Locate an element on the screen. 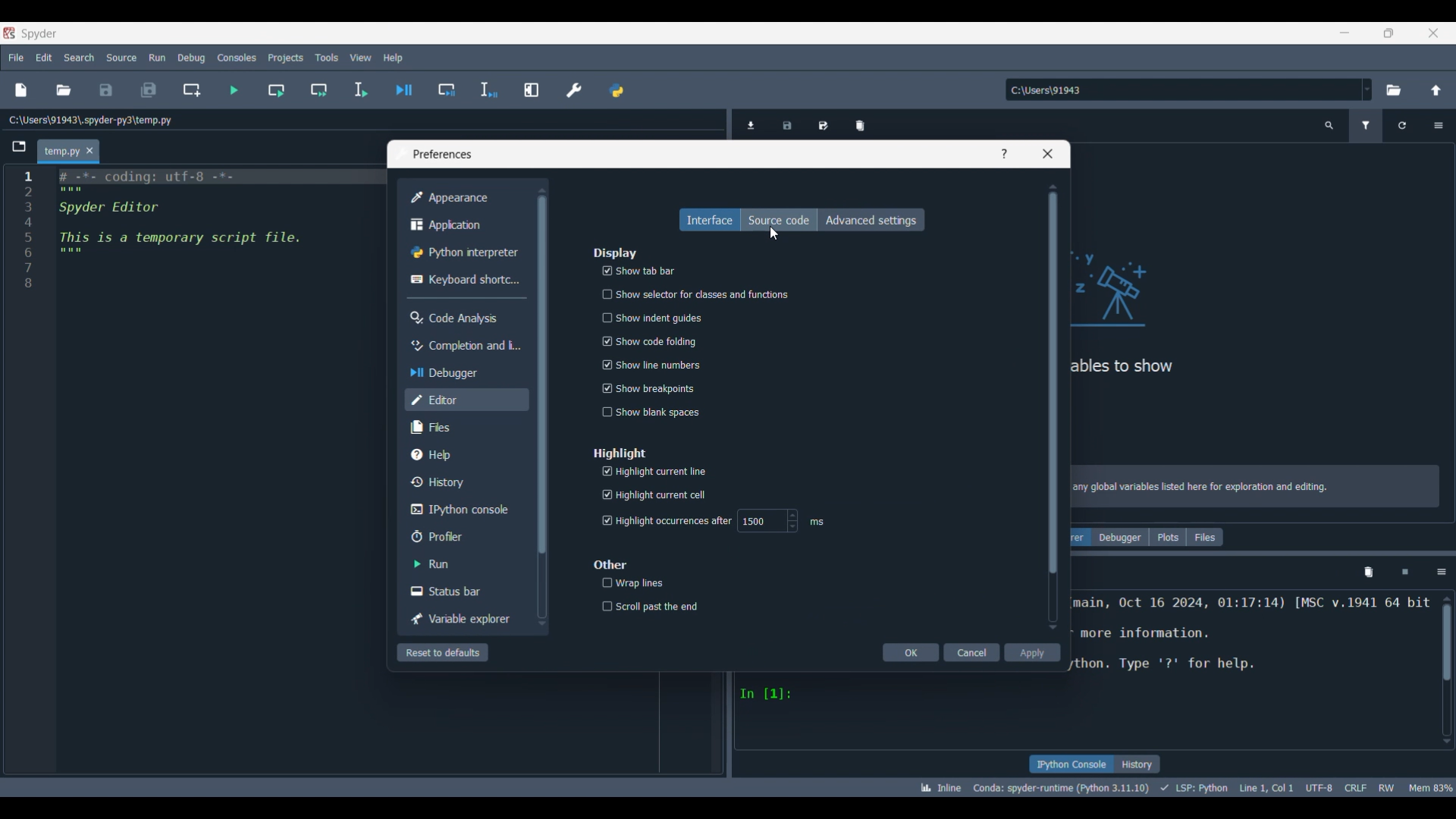 The width and height of the screenshot is (1456, 819). Wrap lines is located at coordinates (635, 584).